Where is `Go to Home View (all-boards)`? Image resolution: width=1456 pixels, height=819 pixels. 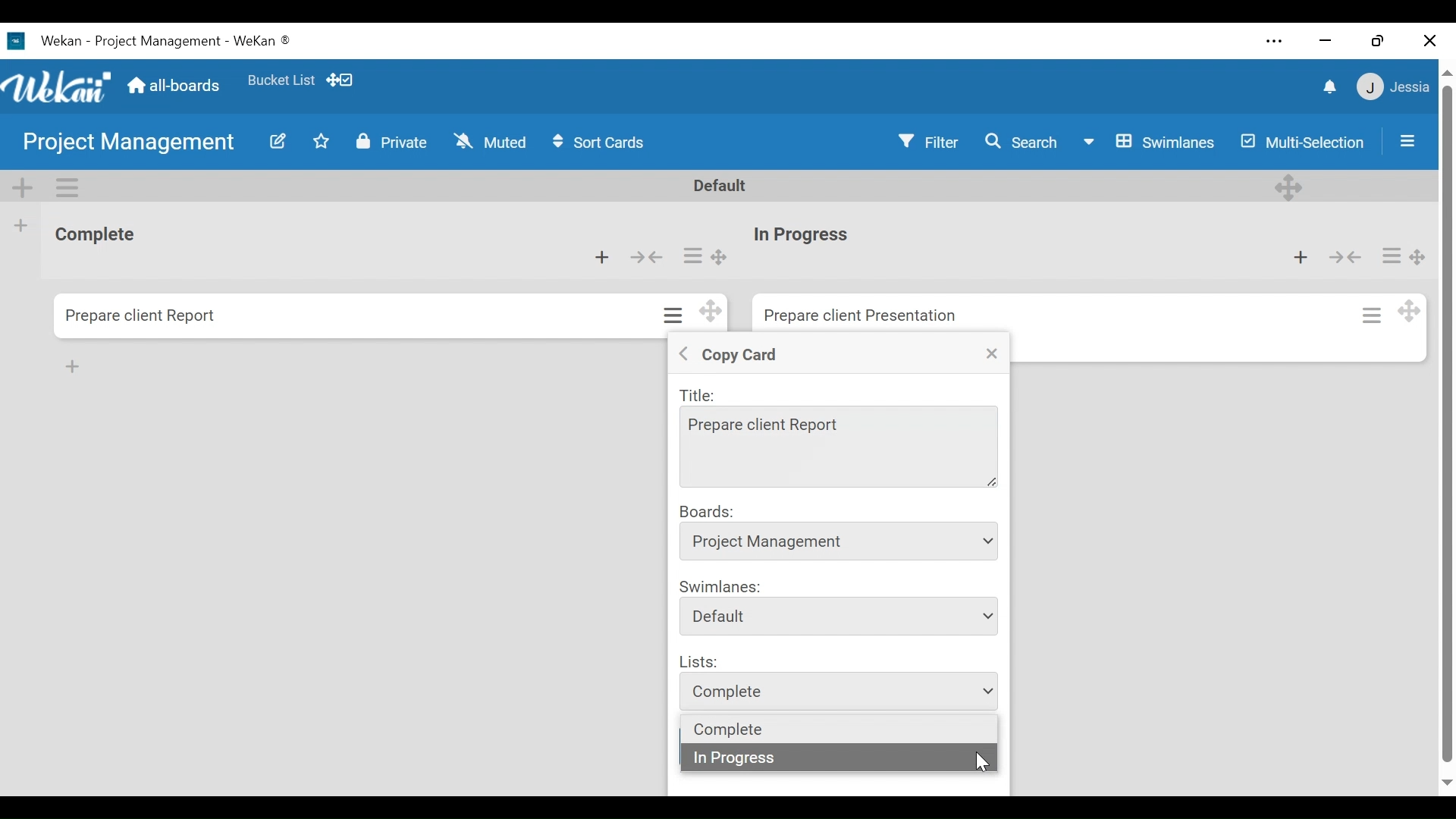 Go to Home View (all-boards) is located at coordinates (171, 86).